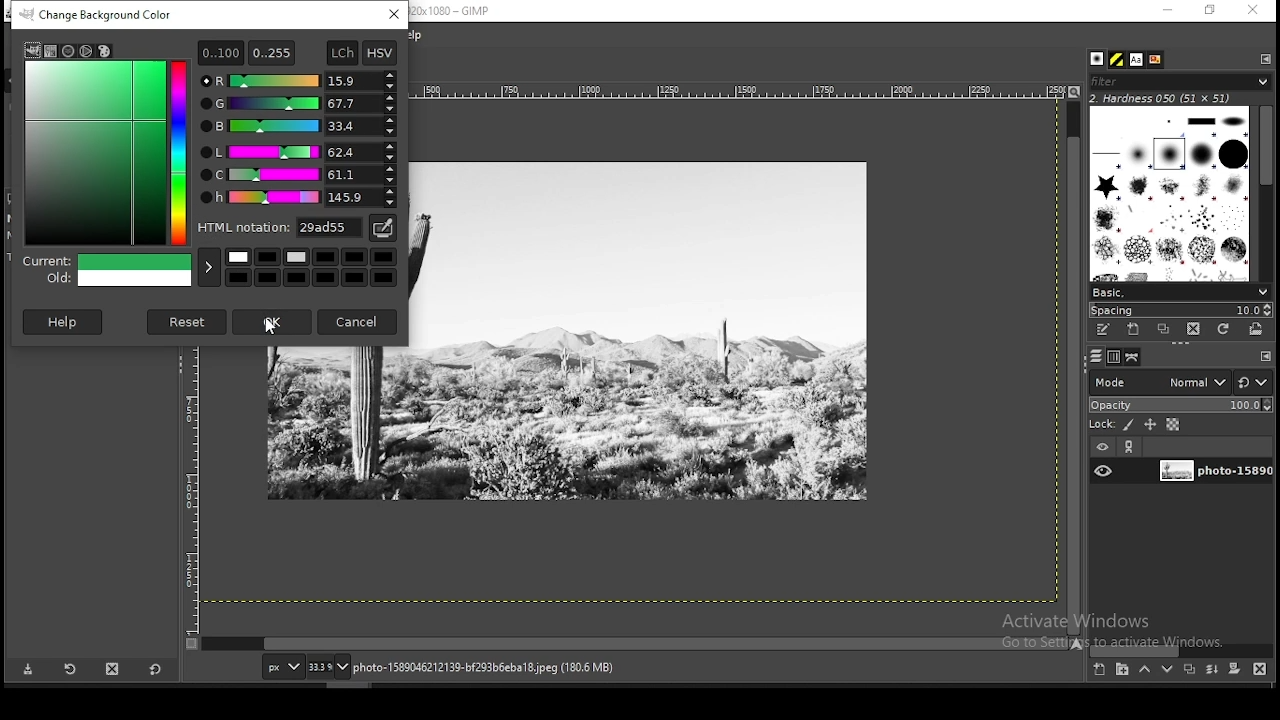  What do you see at coordinates (1150, 424) in the screenshot?
I see `lock size and position` at bounding box center [1150, 424].